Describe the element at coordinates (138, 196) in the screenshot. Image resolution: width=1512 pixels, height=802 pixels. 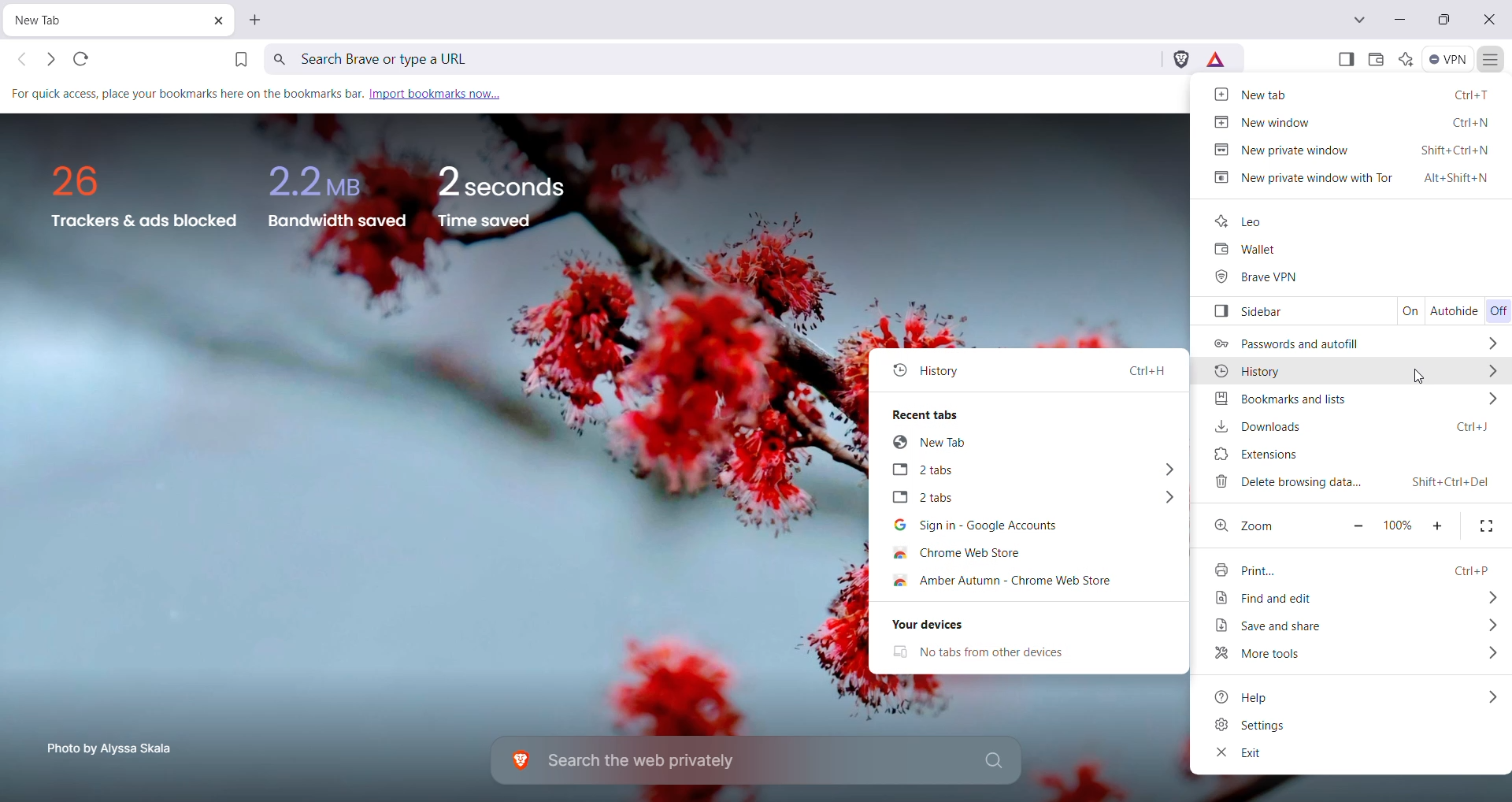
I see `26 Trackers & ads blocked` at that location.